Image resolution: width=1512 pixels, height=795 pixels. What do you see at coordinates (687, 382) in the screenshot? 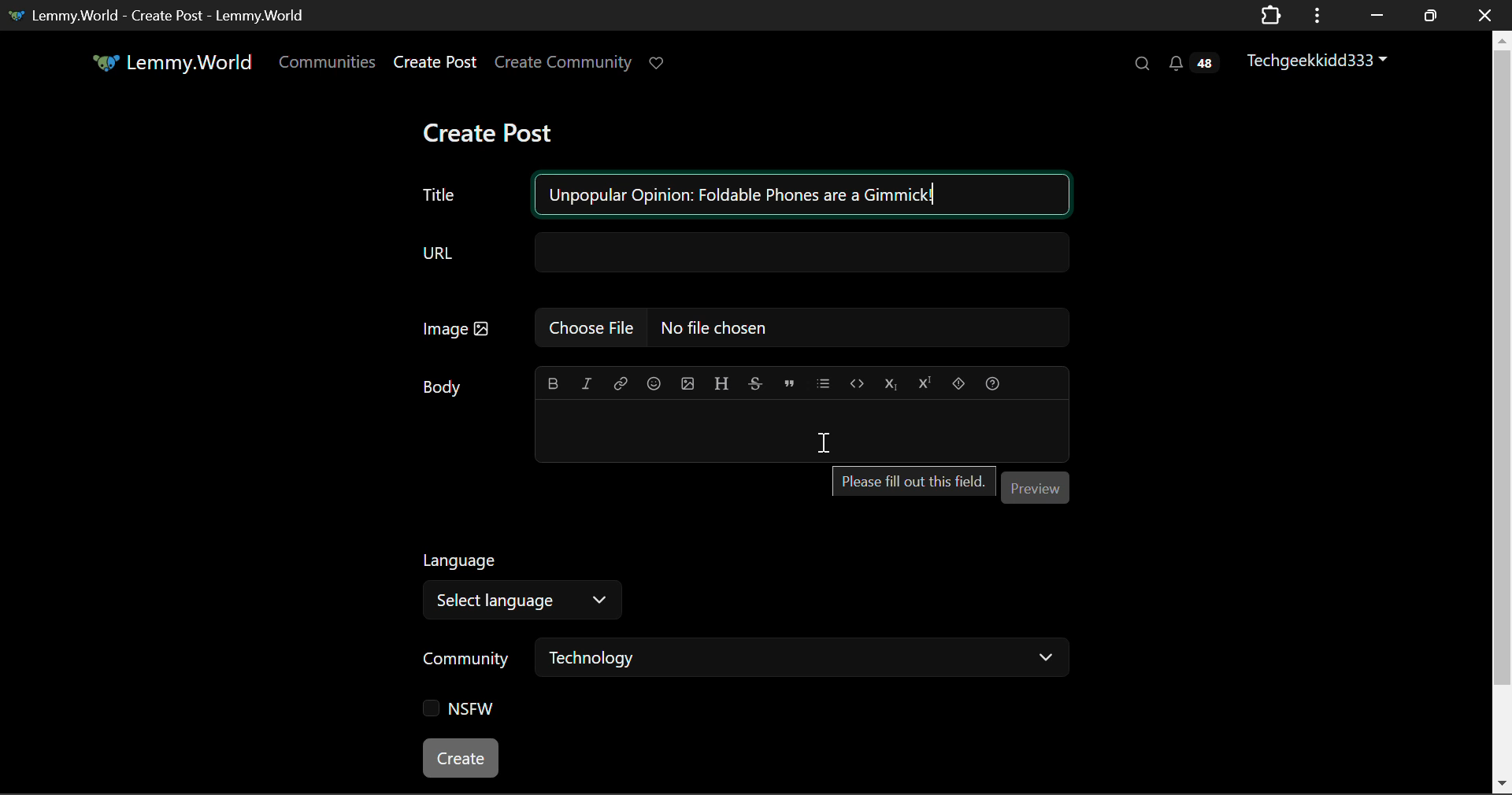
I see `upload image` at bounding box center [687, 382].